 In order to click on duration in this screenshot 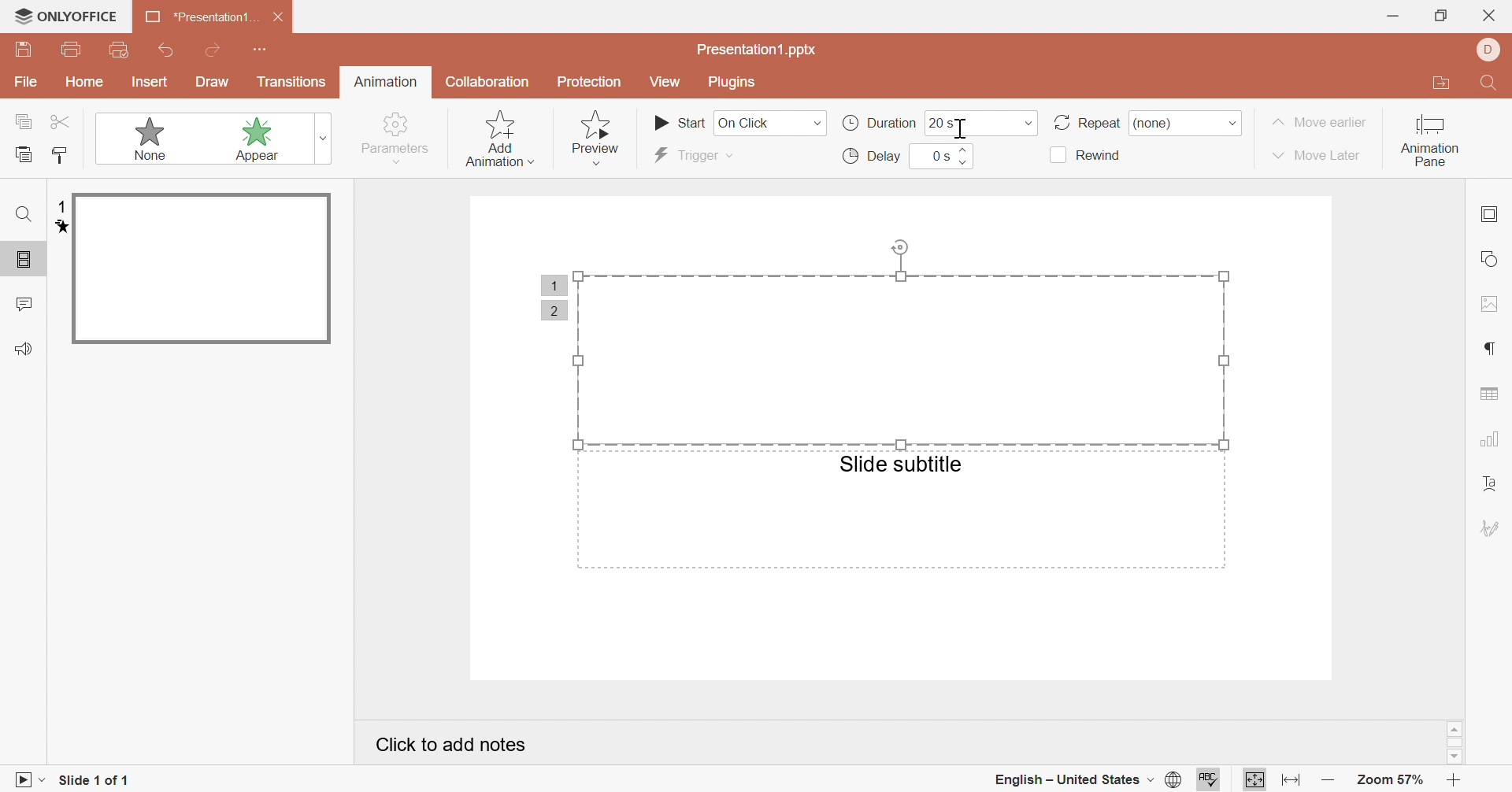, I will do `click(876, 123)`.